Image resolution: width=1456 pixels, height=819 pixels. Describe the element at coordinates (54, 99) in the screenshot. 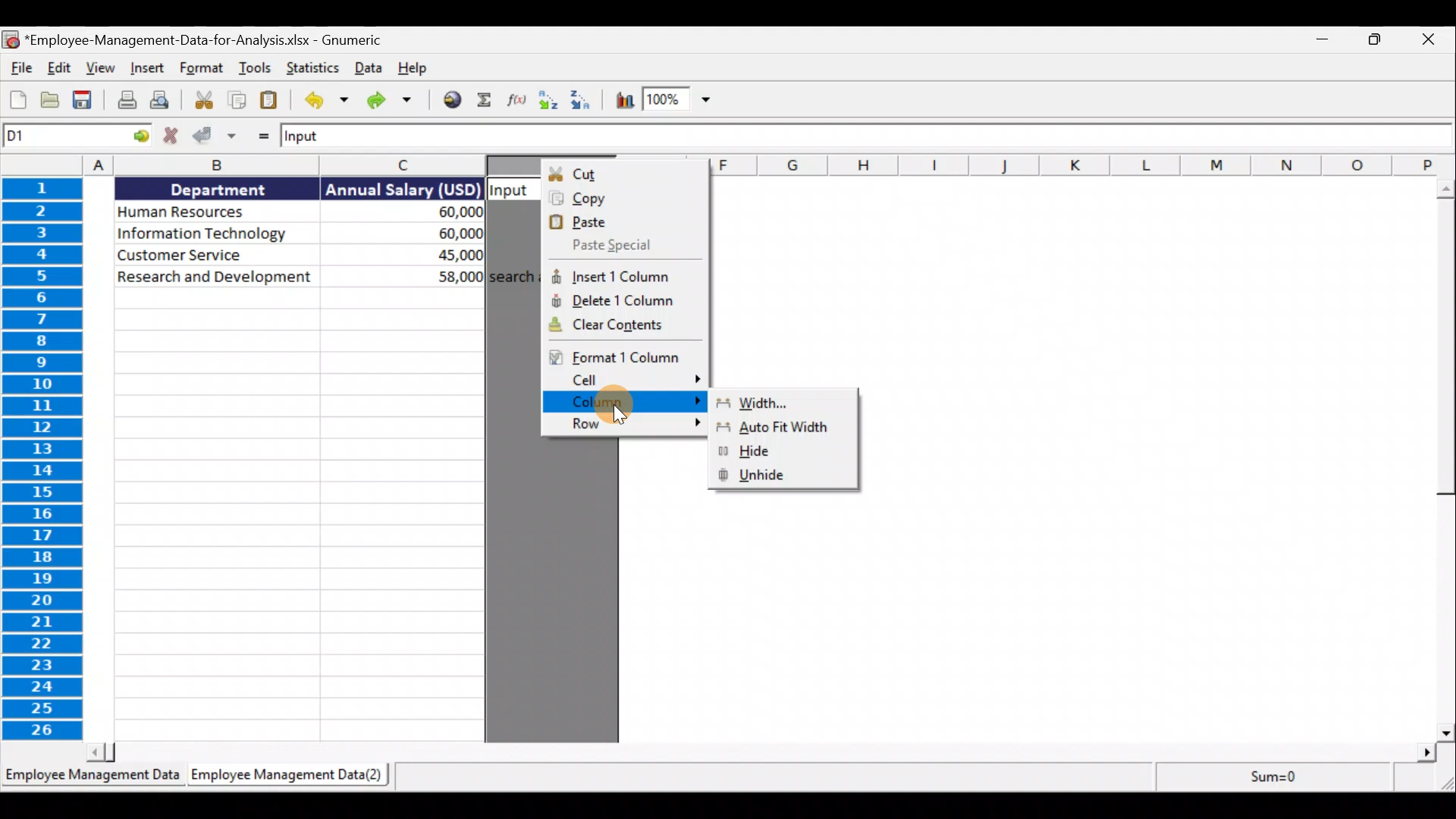

I see `Open a file` at that location.